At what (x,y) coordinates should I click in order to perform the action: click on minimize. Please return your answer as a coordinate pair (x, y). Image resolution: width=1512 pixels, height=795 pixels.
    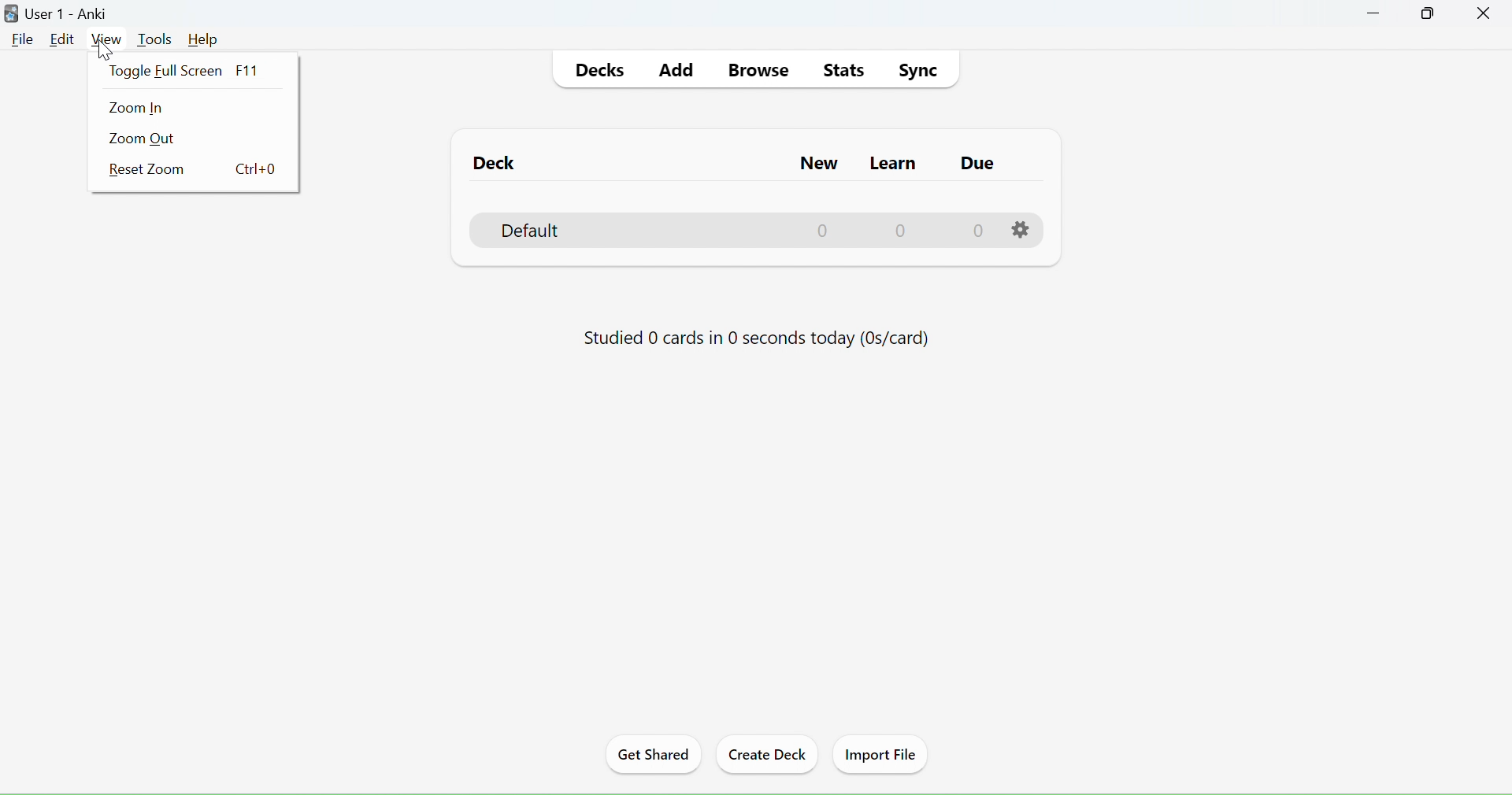
    Looking at the image, I should click on (1374, 13).